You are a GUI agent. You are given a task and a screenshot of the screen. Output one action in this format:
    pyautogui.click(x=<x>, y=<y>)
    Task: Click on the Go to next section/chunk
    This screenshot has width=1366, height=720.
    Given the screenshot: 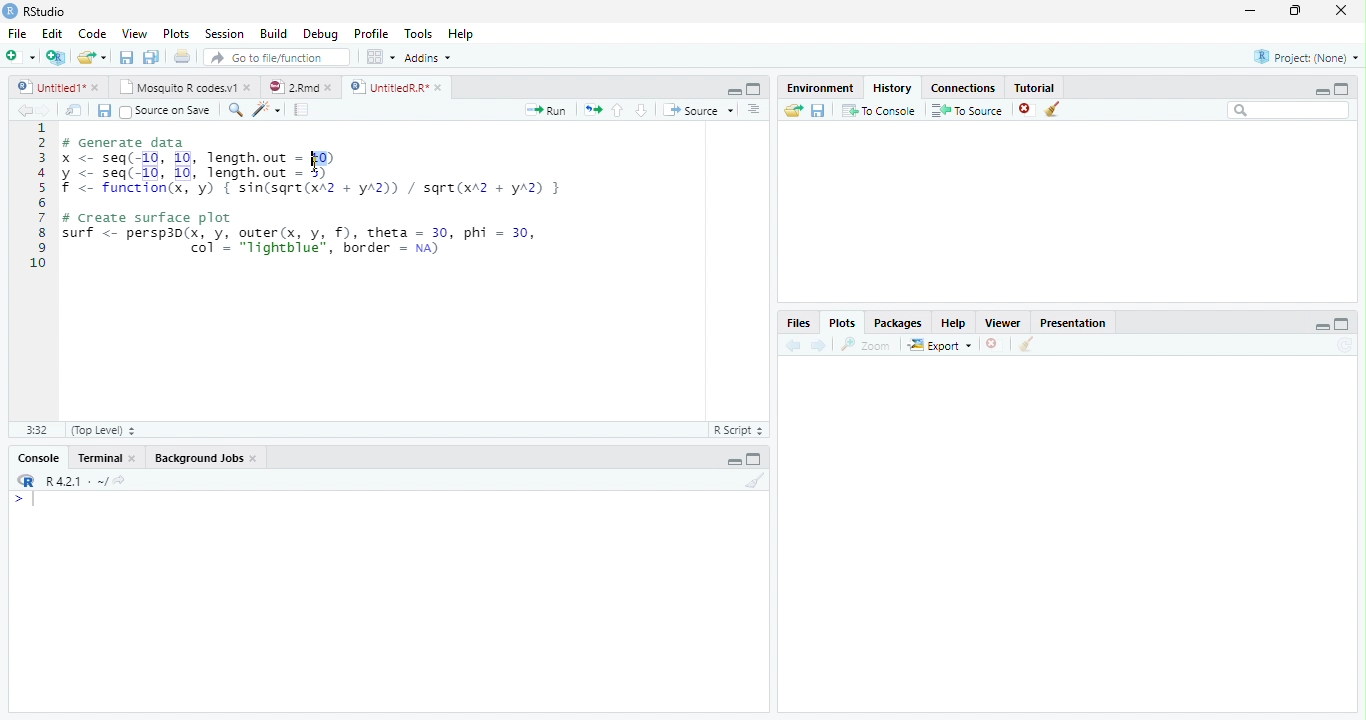 What is the action you would take?
    pyautogui.click(x=641, y=109)
    